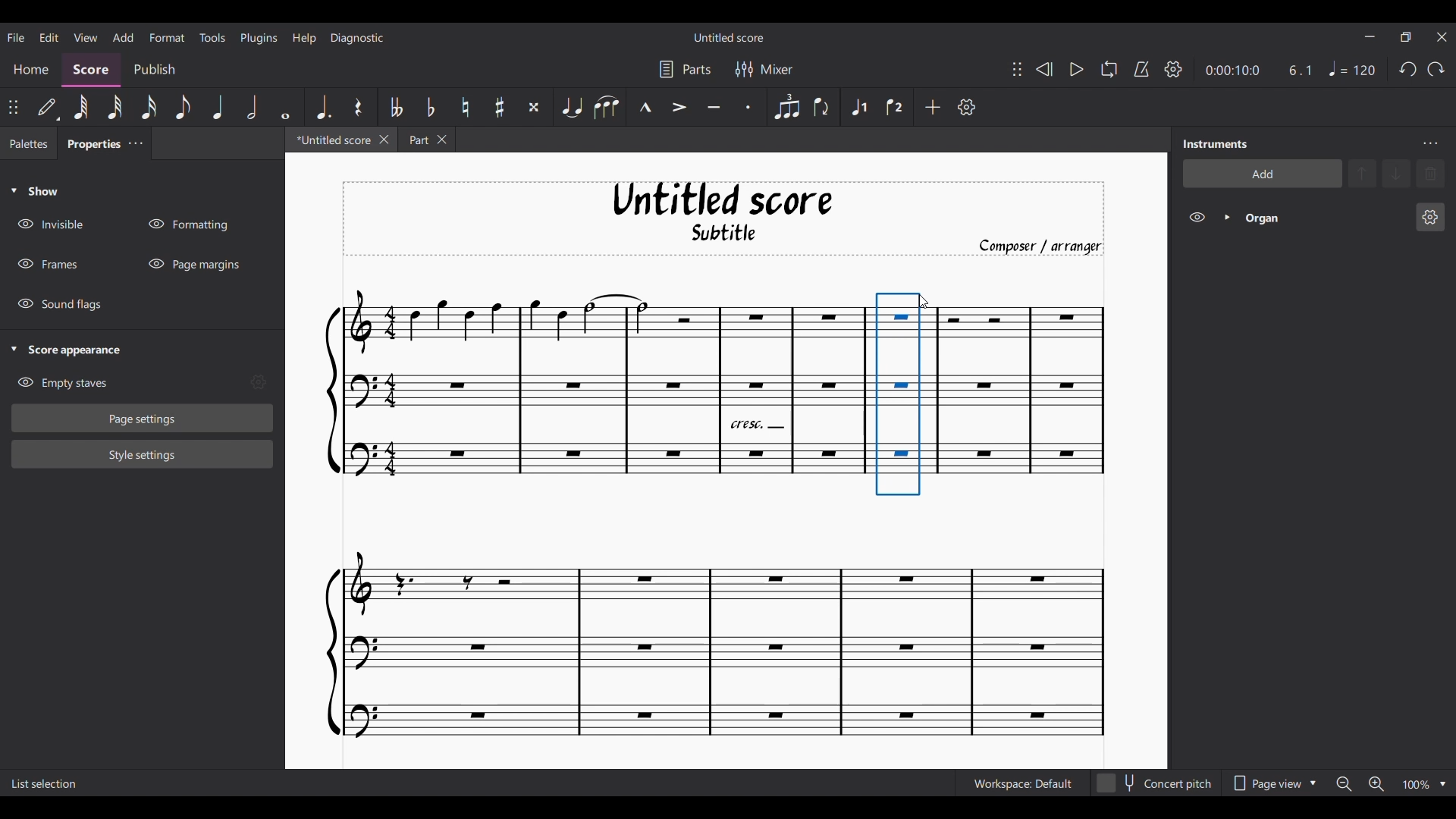 The width and height of the screenshot is (1456, 819). I want to click on Palettes tab, so click(29, 143).